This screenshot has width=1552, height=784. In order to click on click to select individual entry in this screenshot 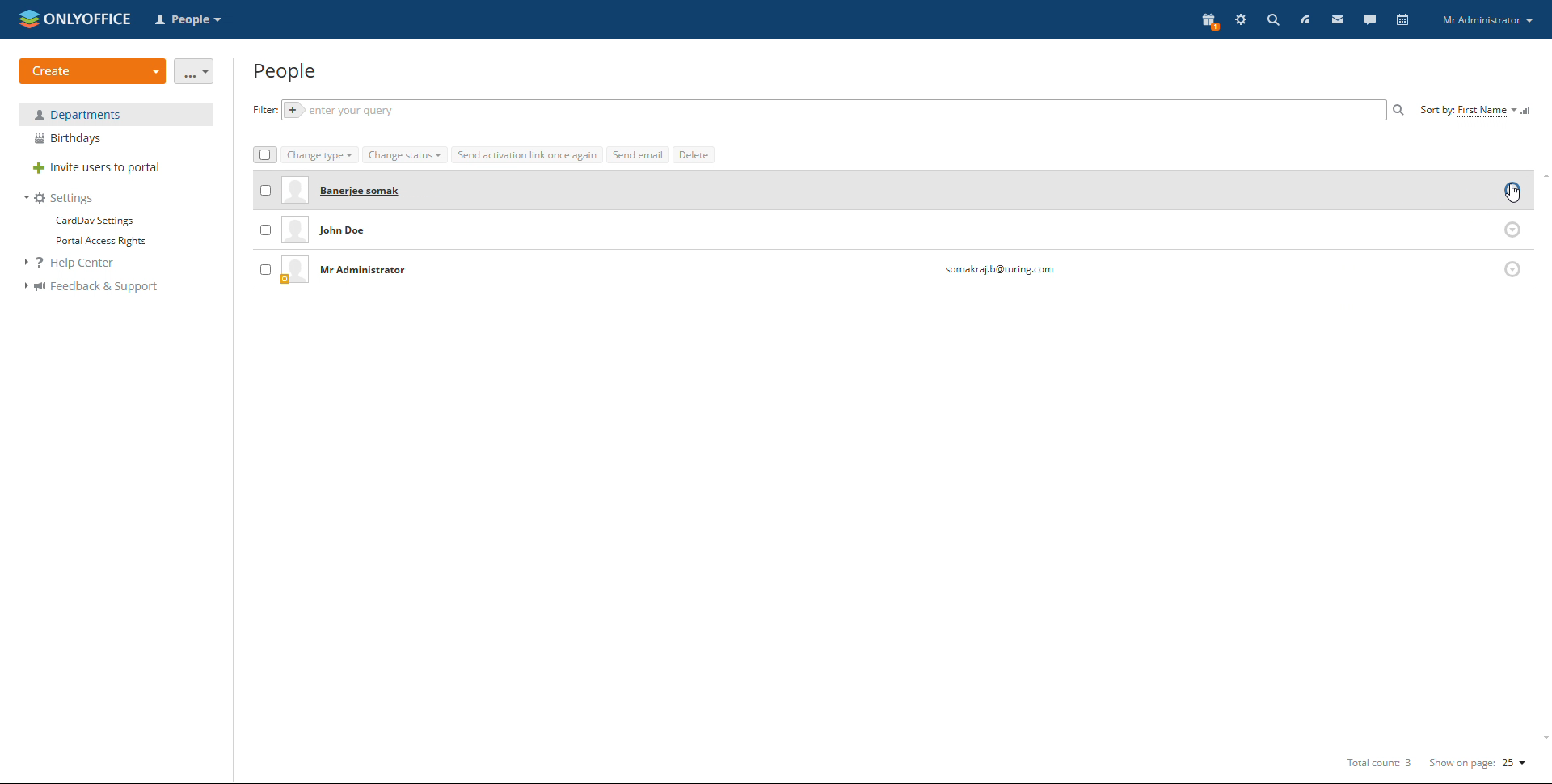, I will do `click(264, 231)`.